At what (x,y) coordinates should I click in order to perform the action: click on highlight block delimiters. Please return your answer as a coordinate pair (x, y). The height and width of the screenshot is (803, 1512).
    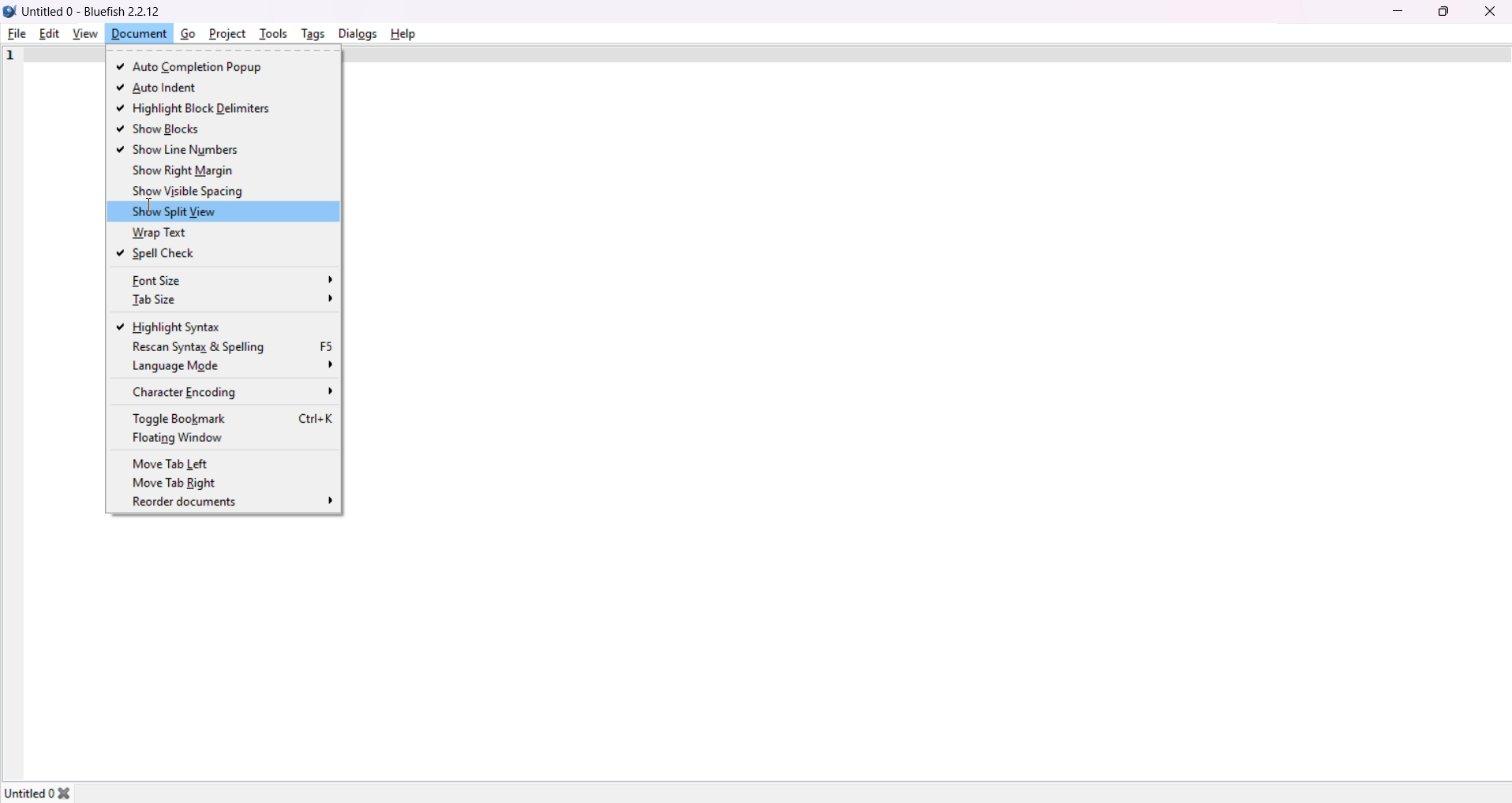
    Looking at the image, I should click on (206, 109).